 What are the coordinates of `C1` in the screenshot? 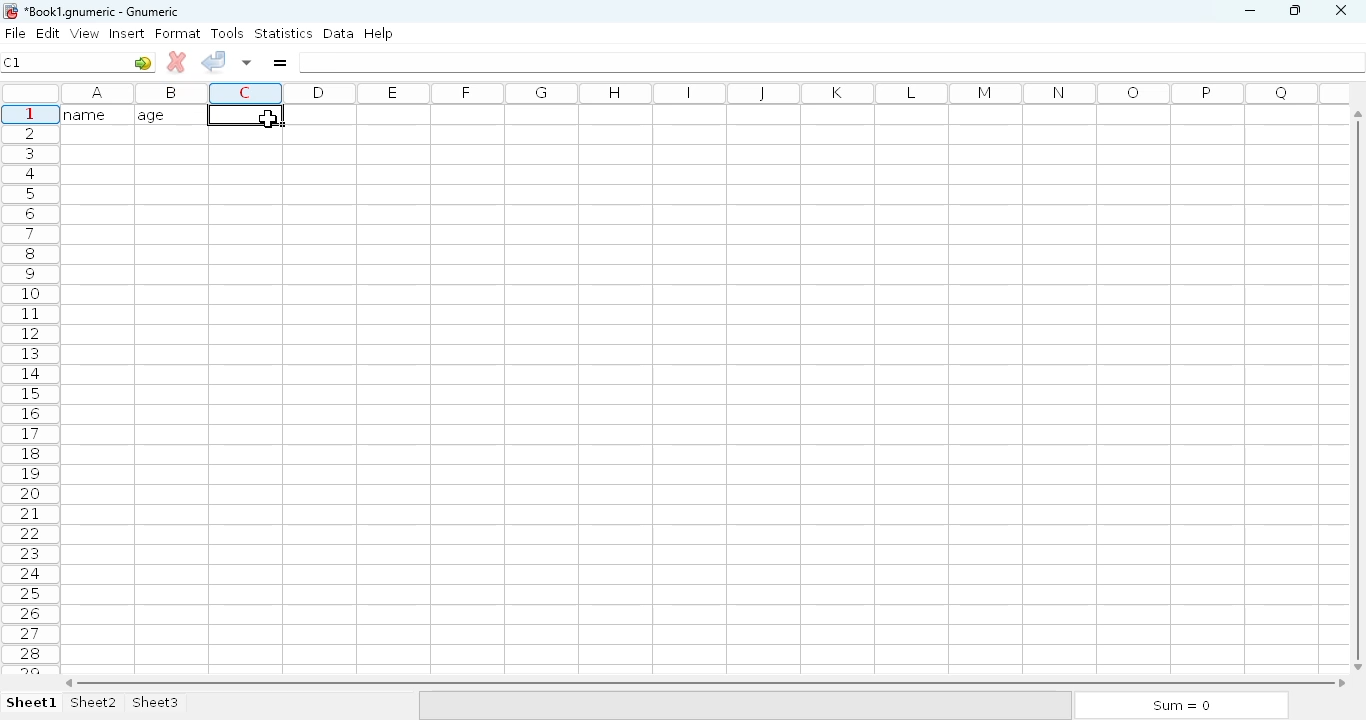 It's located at (12, 62).